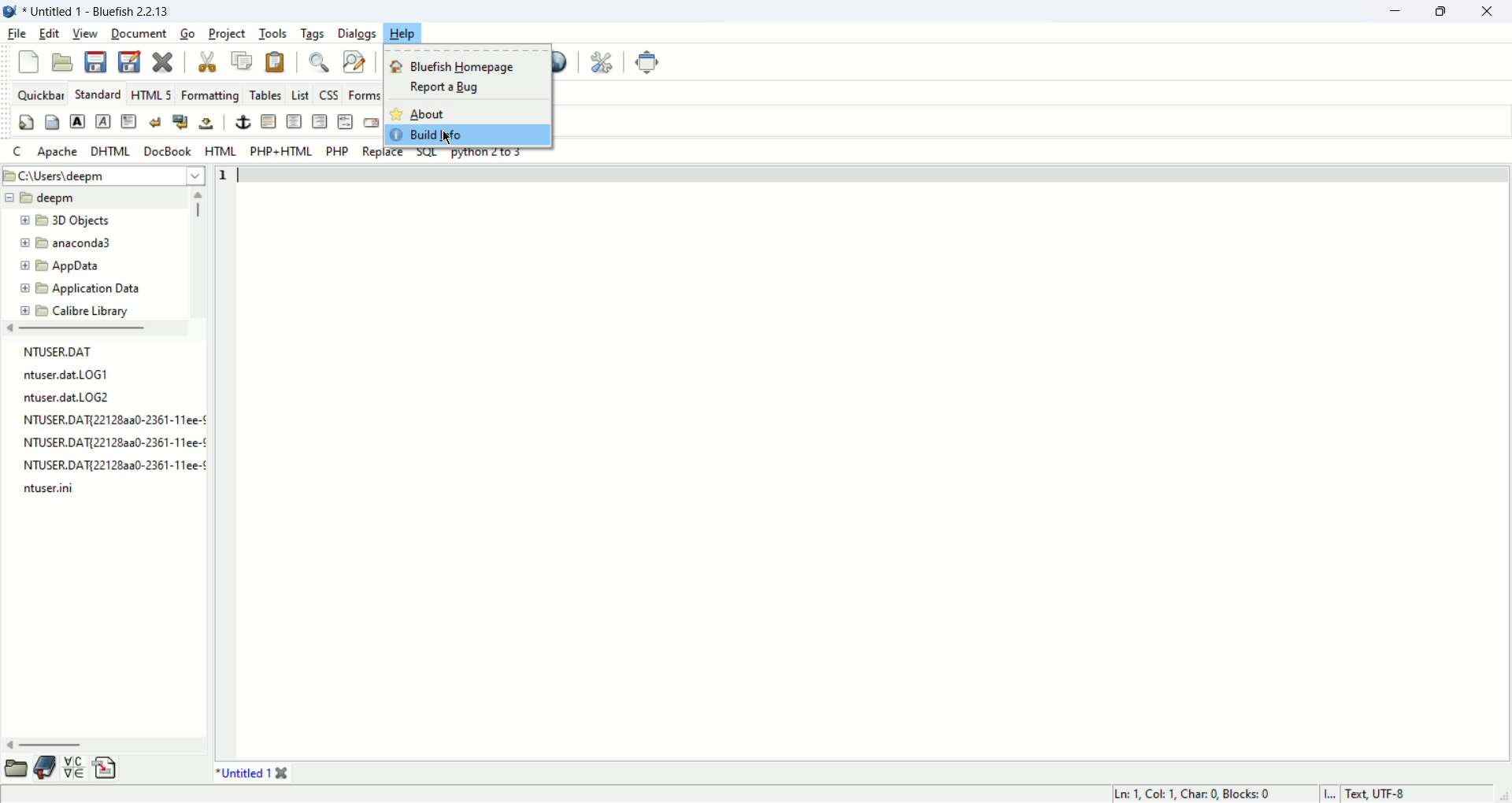  I want to click on save as, so click(131, 61).